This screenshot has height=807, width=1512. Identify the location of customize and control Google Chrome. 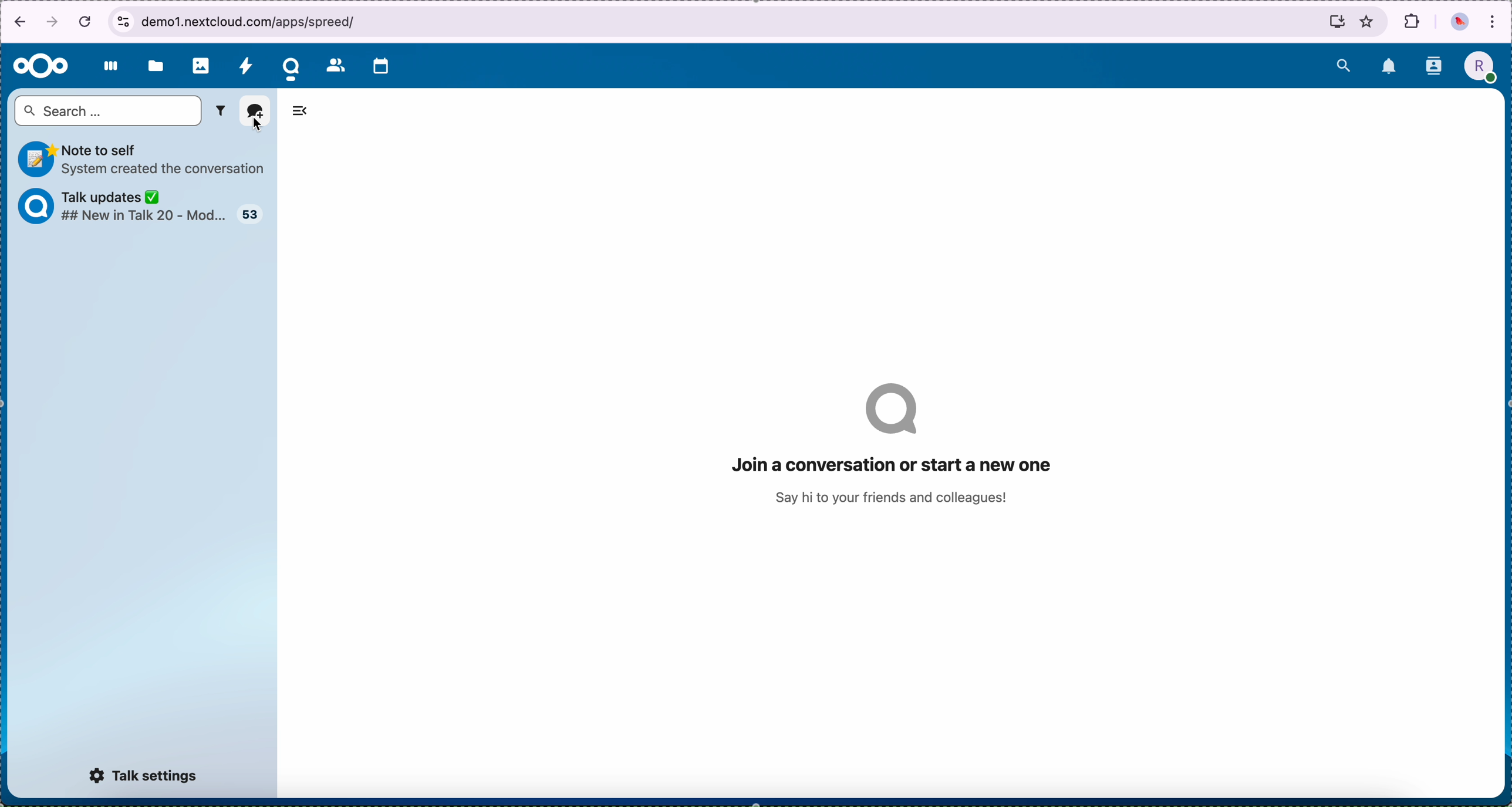
(1493, 25).